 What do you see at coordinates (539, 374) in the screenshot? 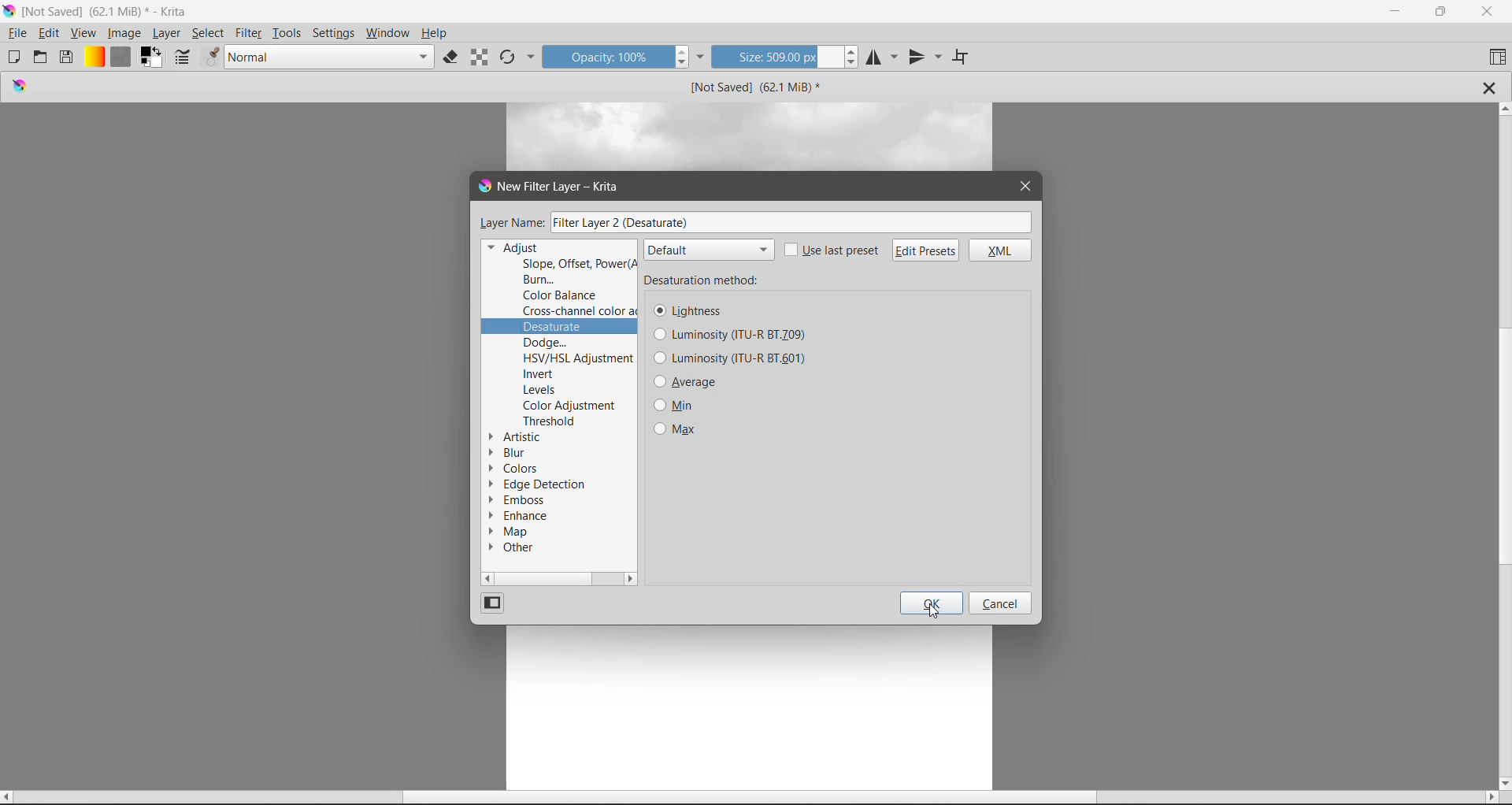
I see `Invert` at bounding box center [539, 374].